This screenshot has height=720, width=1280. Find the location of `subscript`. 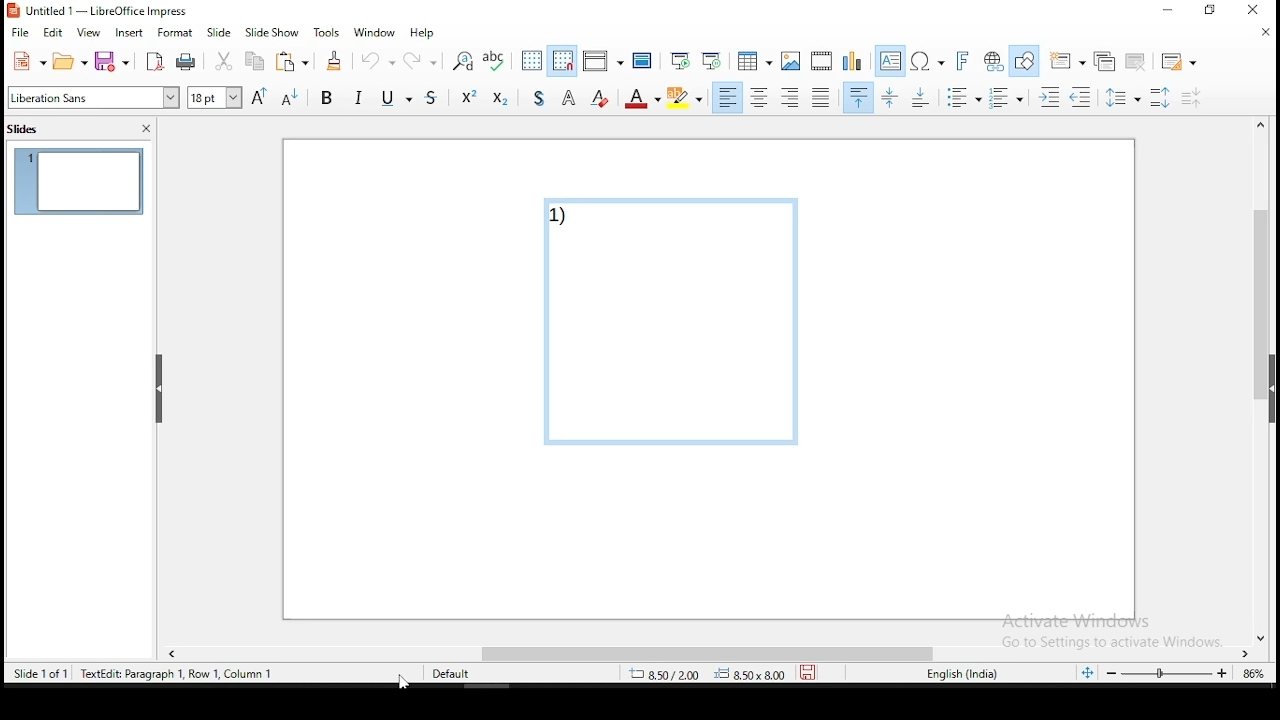

subscript is located at coordinates (502, 99).